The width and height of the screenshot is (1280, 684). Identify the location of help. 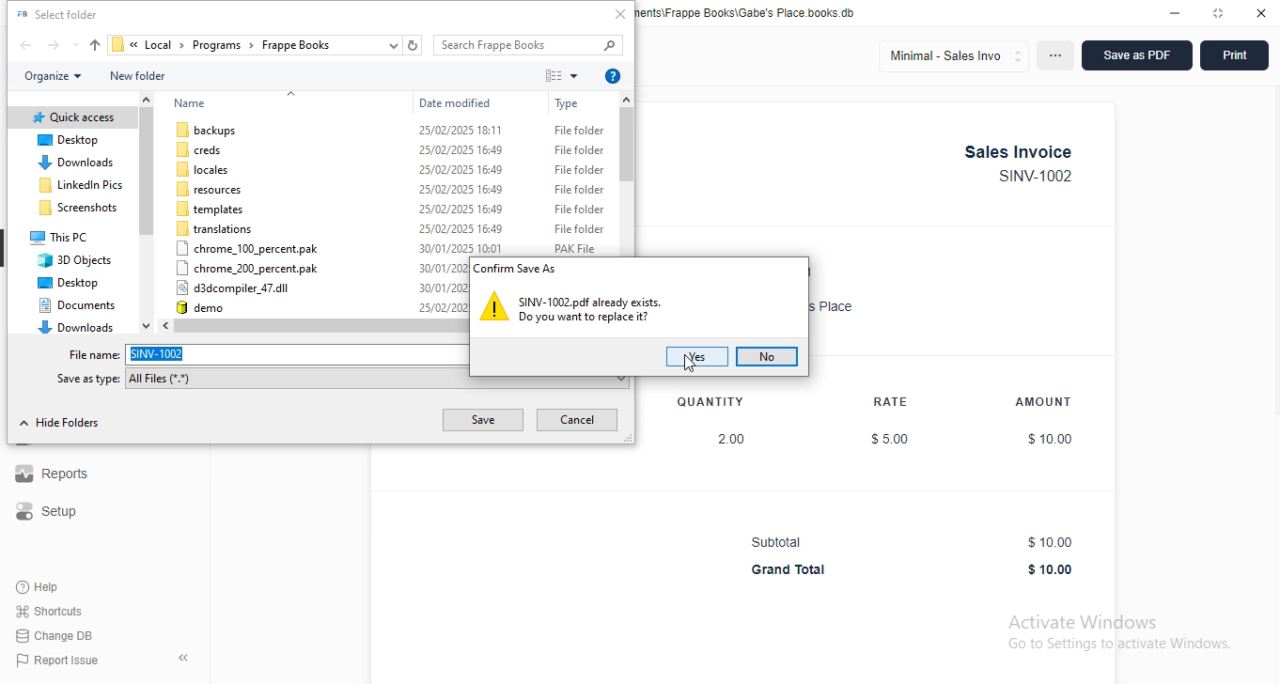
(39, 587).